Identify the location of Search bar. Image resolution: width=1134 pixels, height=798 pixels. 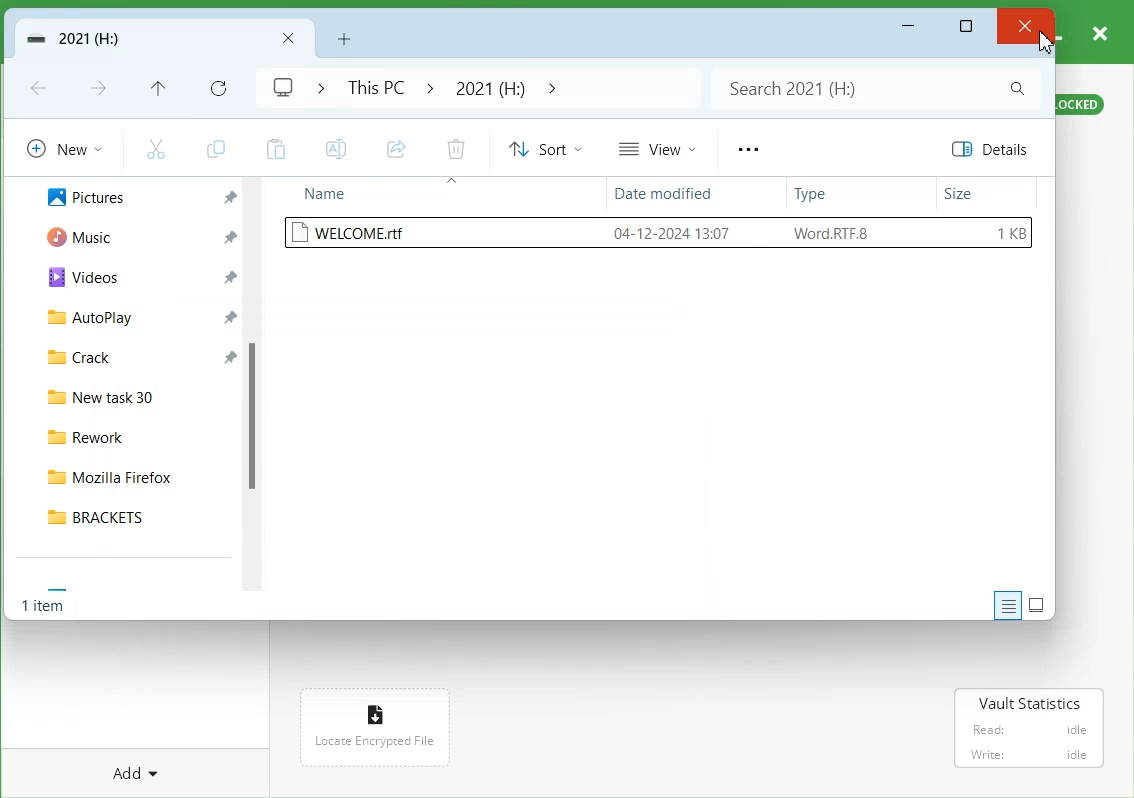
(873, 88).